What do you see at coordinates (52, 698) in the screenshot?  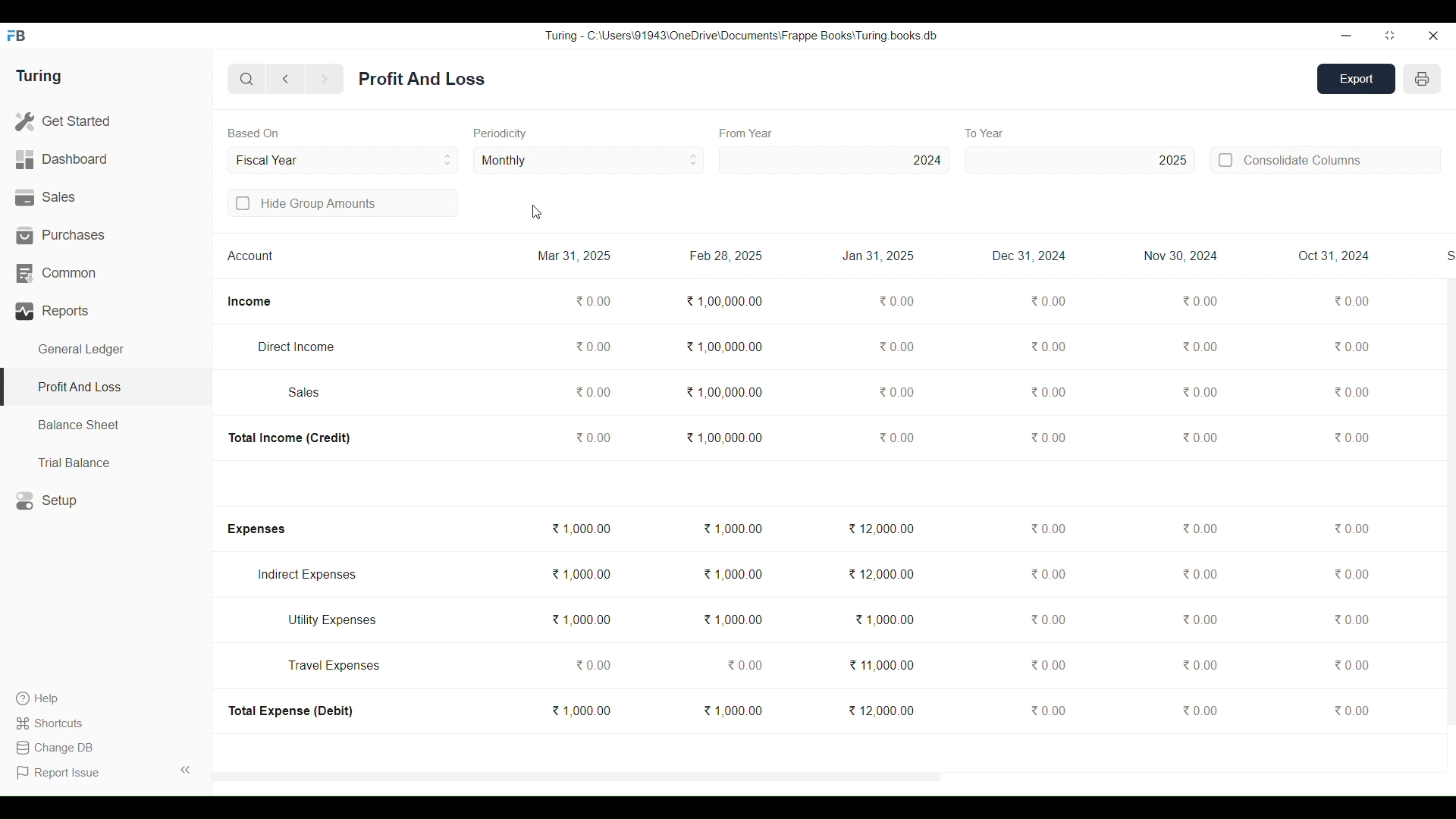 I see `Help` at bounding box center [52, 698].